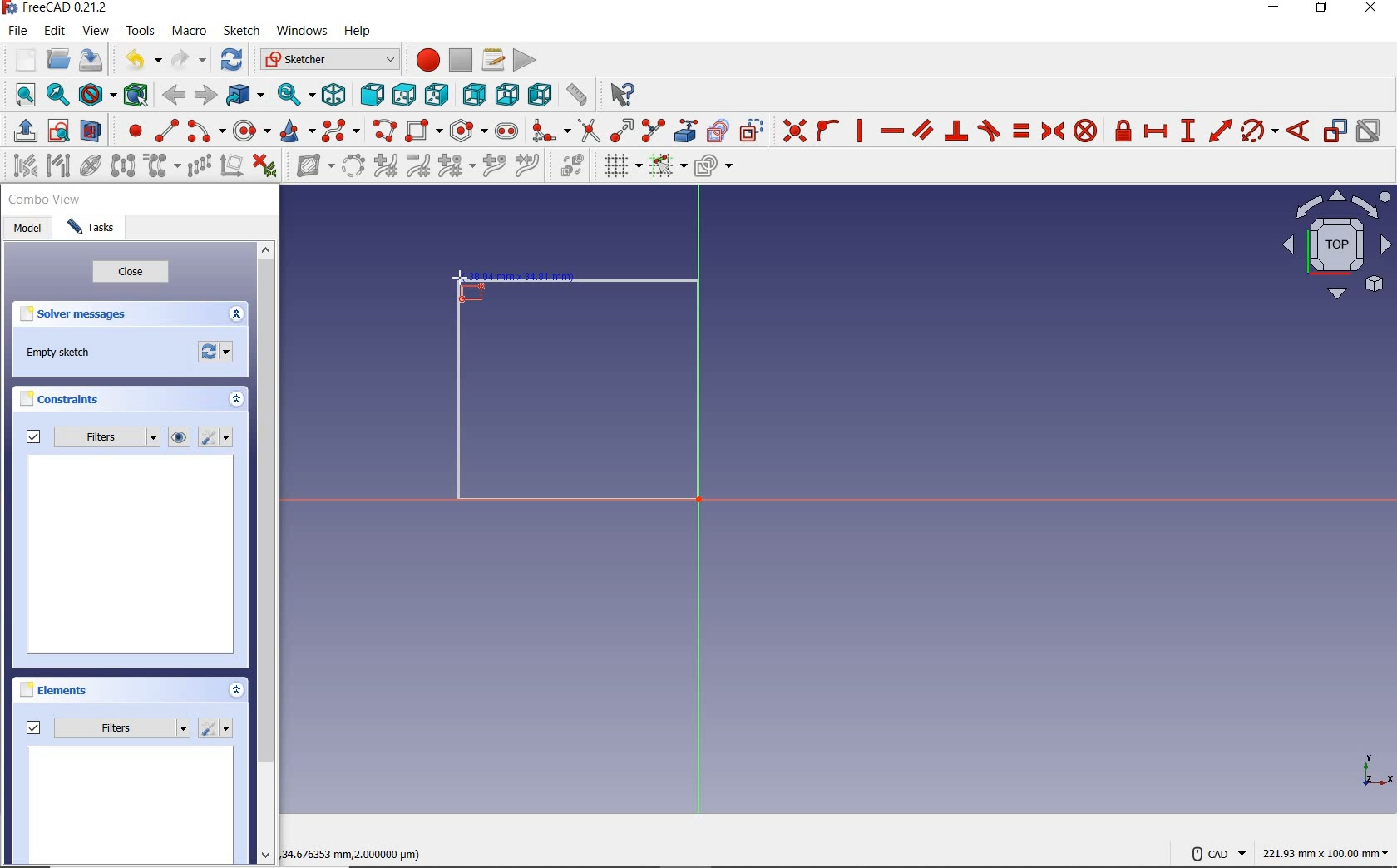 Image resolution: width=1397 pixels, height=868 pixels. Describe the element at coordinates (1086, 131) in the screenshot. I see `constrain block` at that location.